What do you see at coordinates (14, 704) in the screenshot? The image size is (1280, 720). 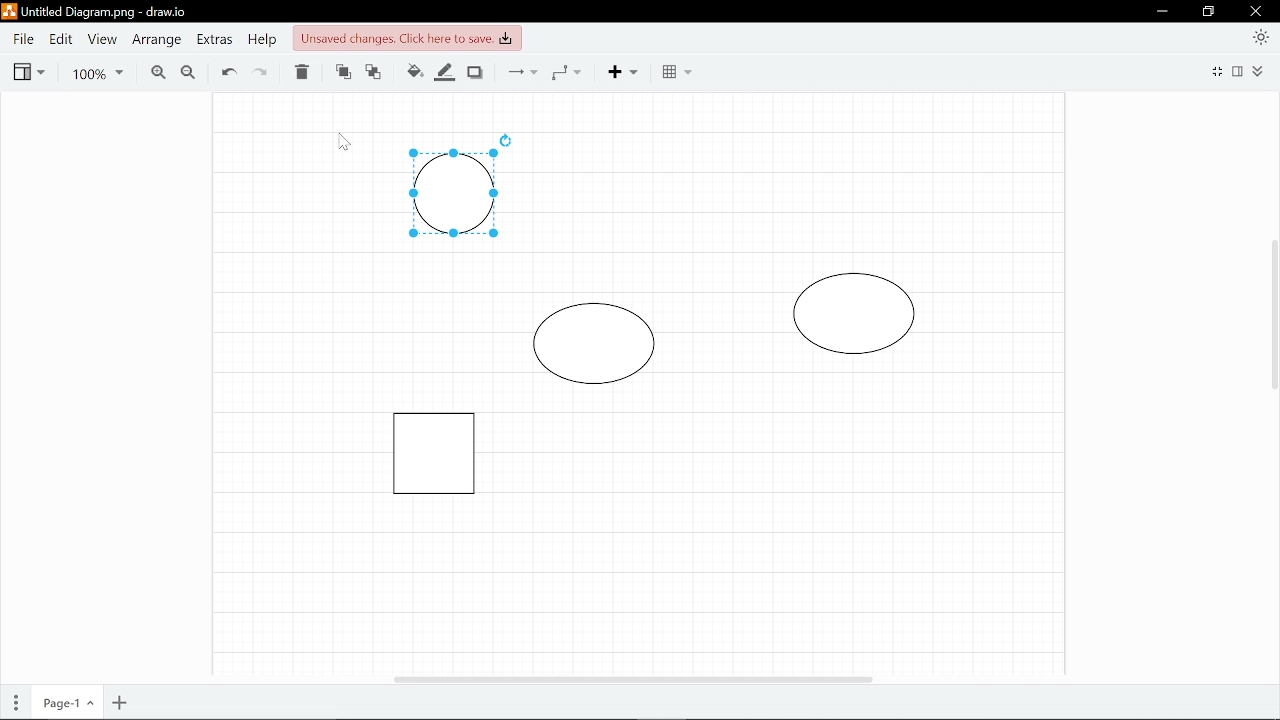 I see `Pages` at bounding box center [14, 704].